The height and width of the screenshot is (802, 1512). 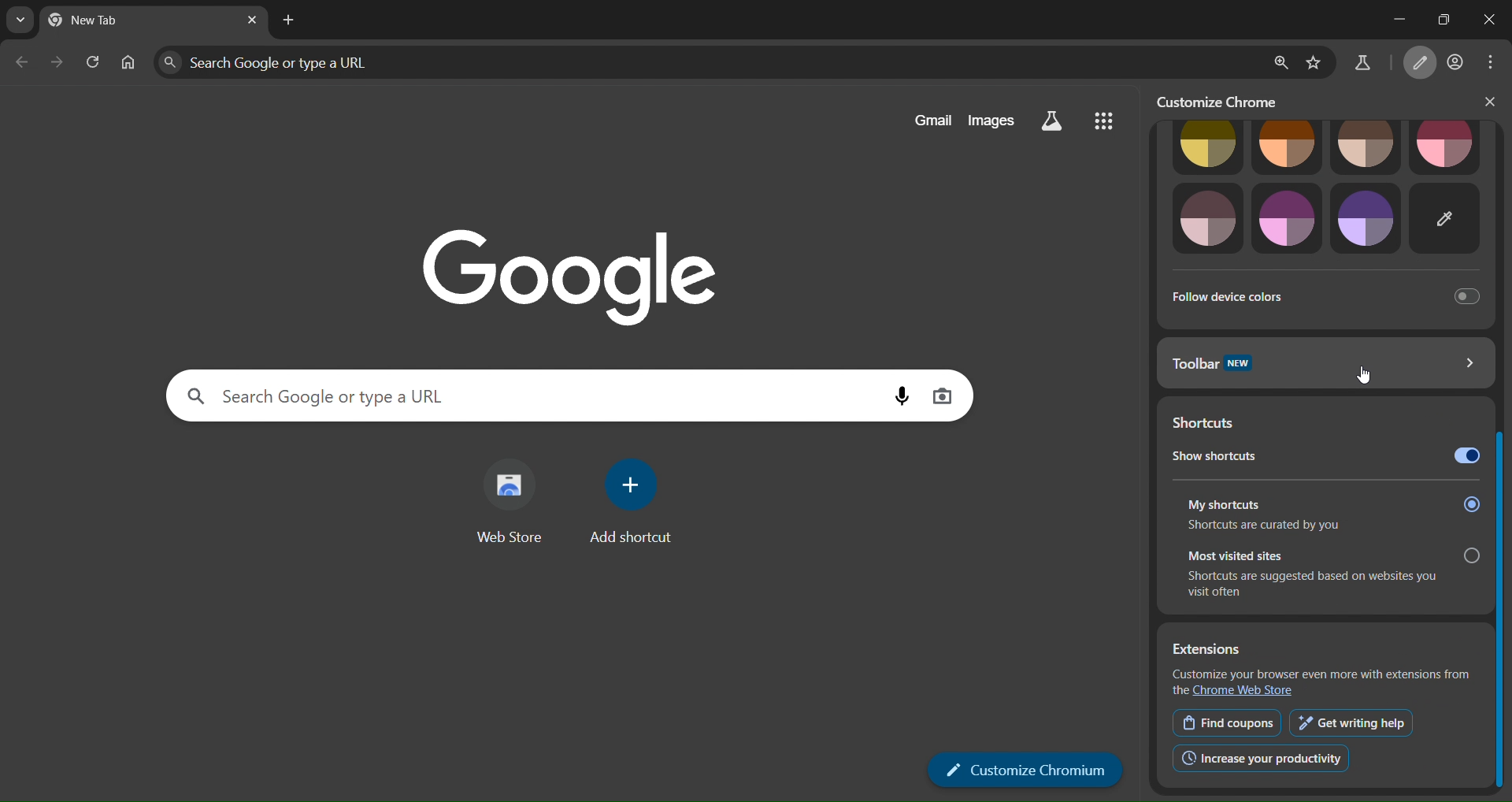 I want to click on reload, so click(x=94, y=61).